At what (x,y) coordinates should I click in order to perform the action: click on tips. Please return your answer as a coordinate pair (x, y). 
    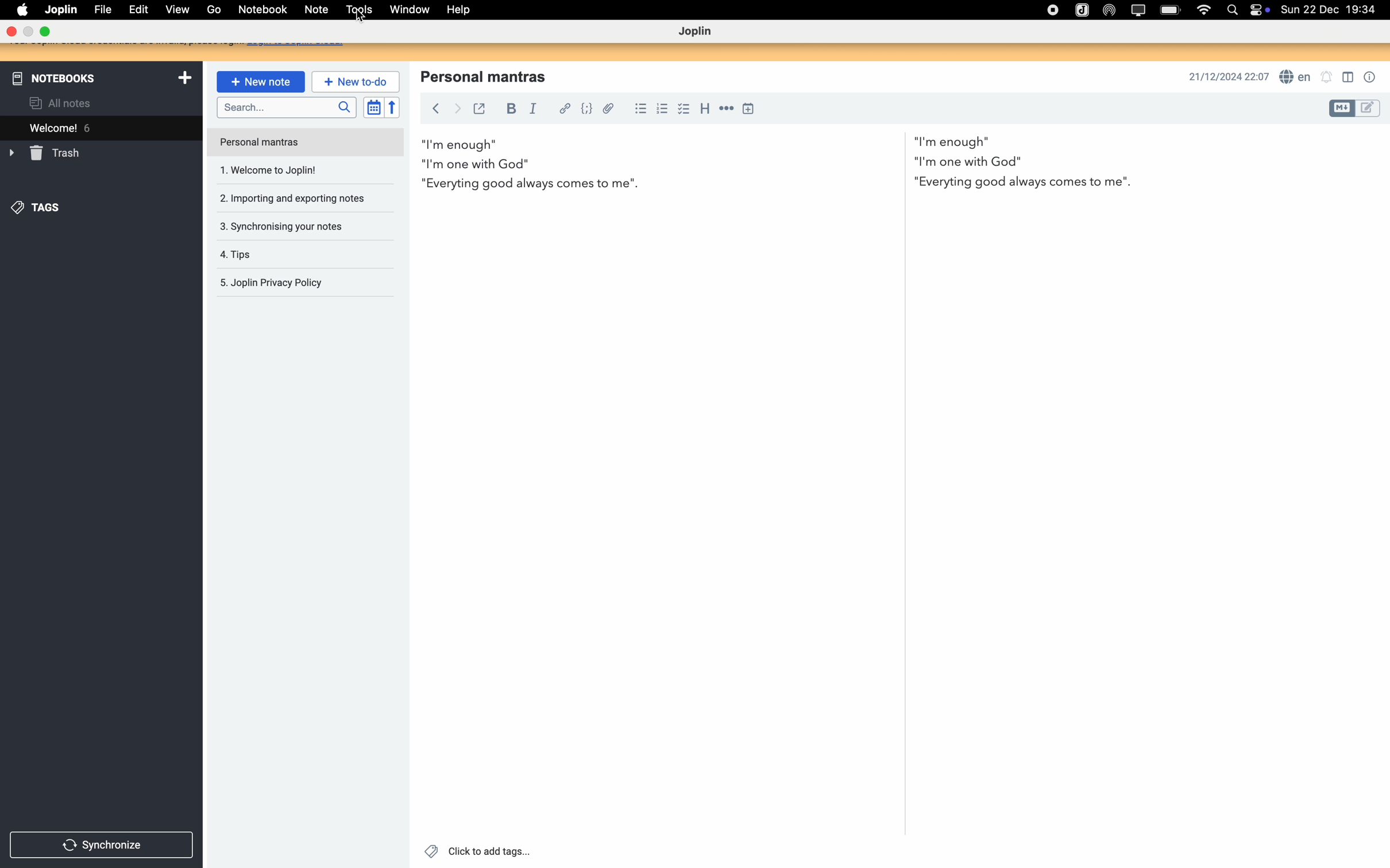
    Looking at the image, I should click on (236, 256).